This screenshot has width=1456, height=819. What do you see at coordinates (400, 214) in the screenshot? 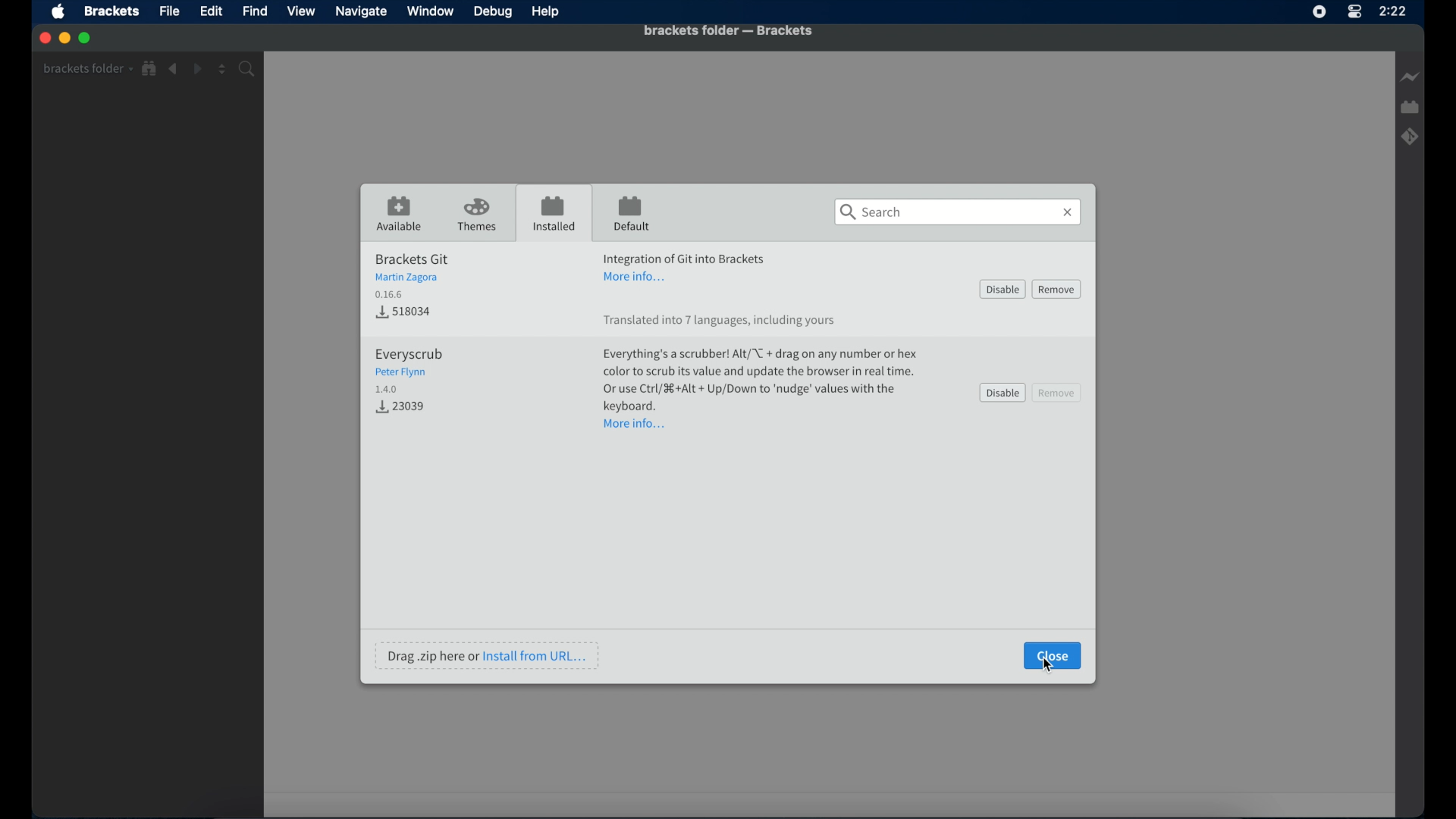
I see `available` at bounding box center [400, 214].